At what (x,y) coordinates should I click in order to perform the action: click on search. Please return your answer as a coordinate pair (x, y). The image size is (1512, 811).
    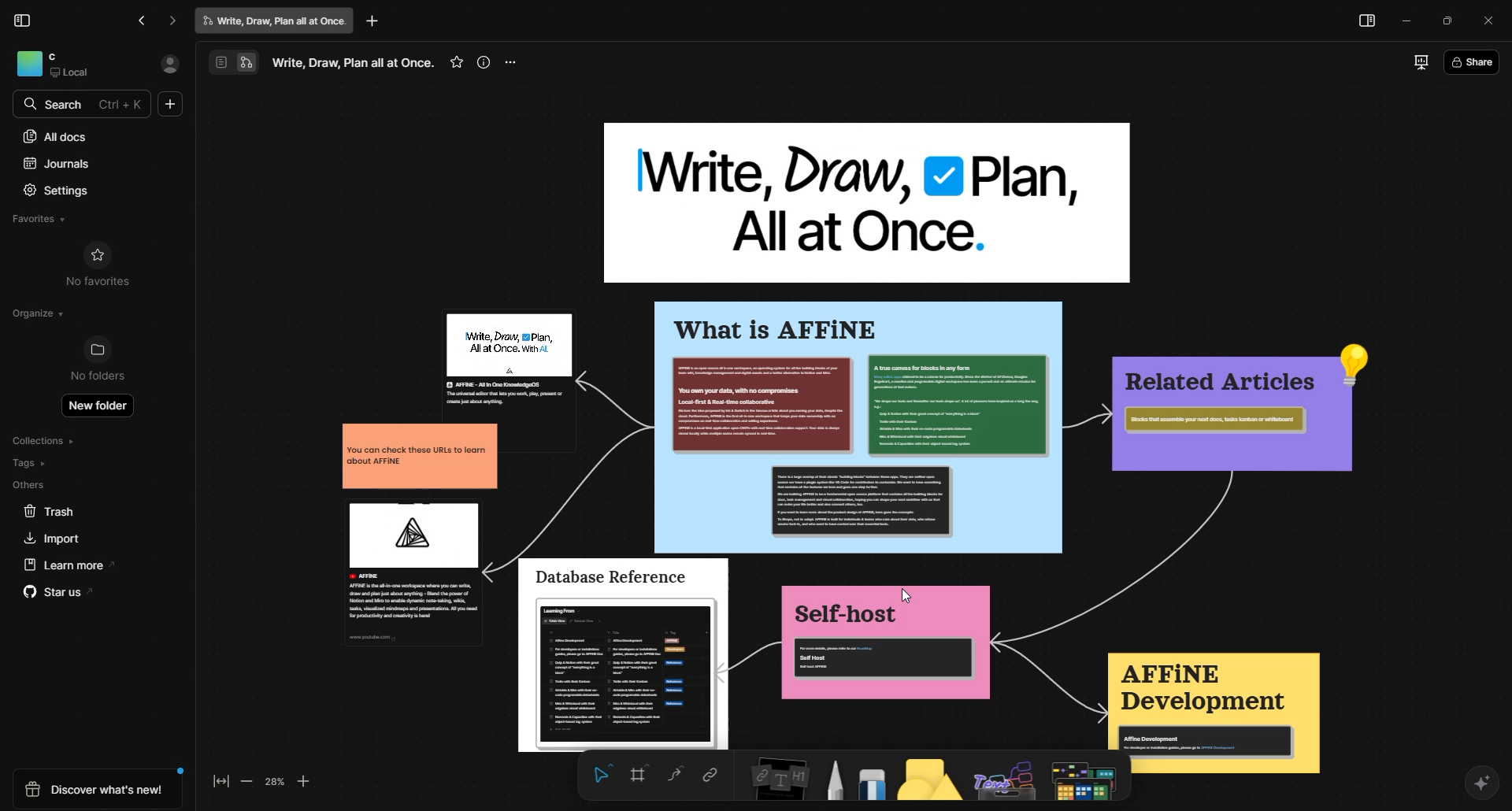
    Looking at the image, I should click on (57, 103).